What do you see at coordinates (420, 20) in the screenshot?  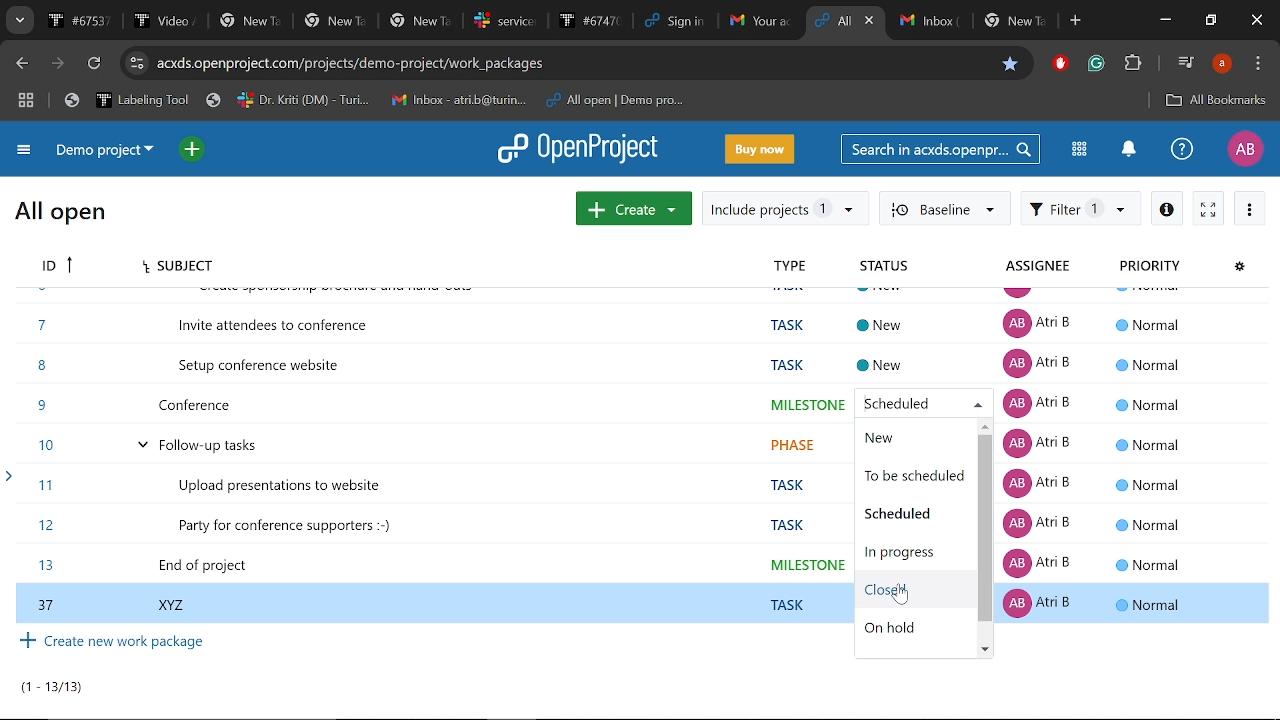 I see `Tabs` at bounding box center [420, 20].